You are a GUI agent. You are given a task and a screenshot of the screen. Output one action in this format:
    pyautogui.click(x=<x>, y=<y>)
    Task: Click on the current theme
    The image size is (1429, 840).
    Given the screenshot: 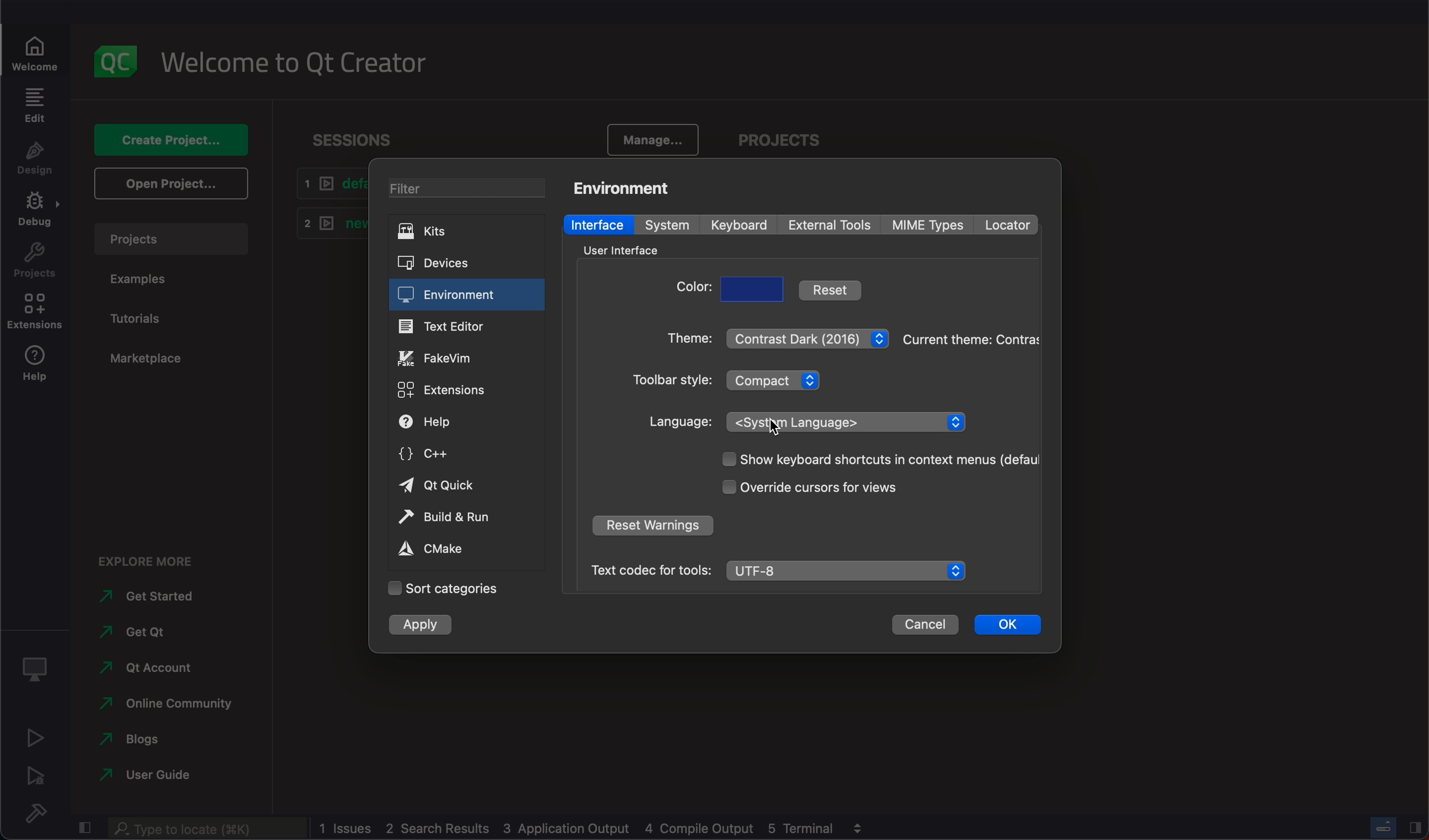 What is the action you would take?
    pyautogui.click(x=971, y=339)
    